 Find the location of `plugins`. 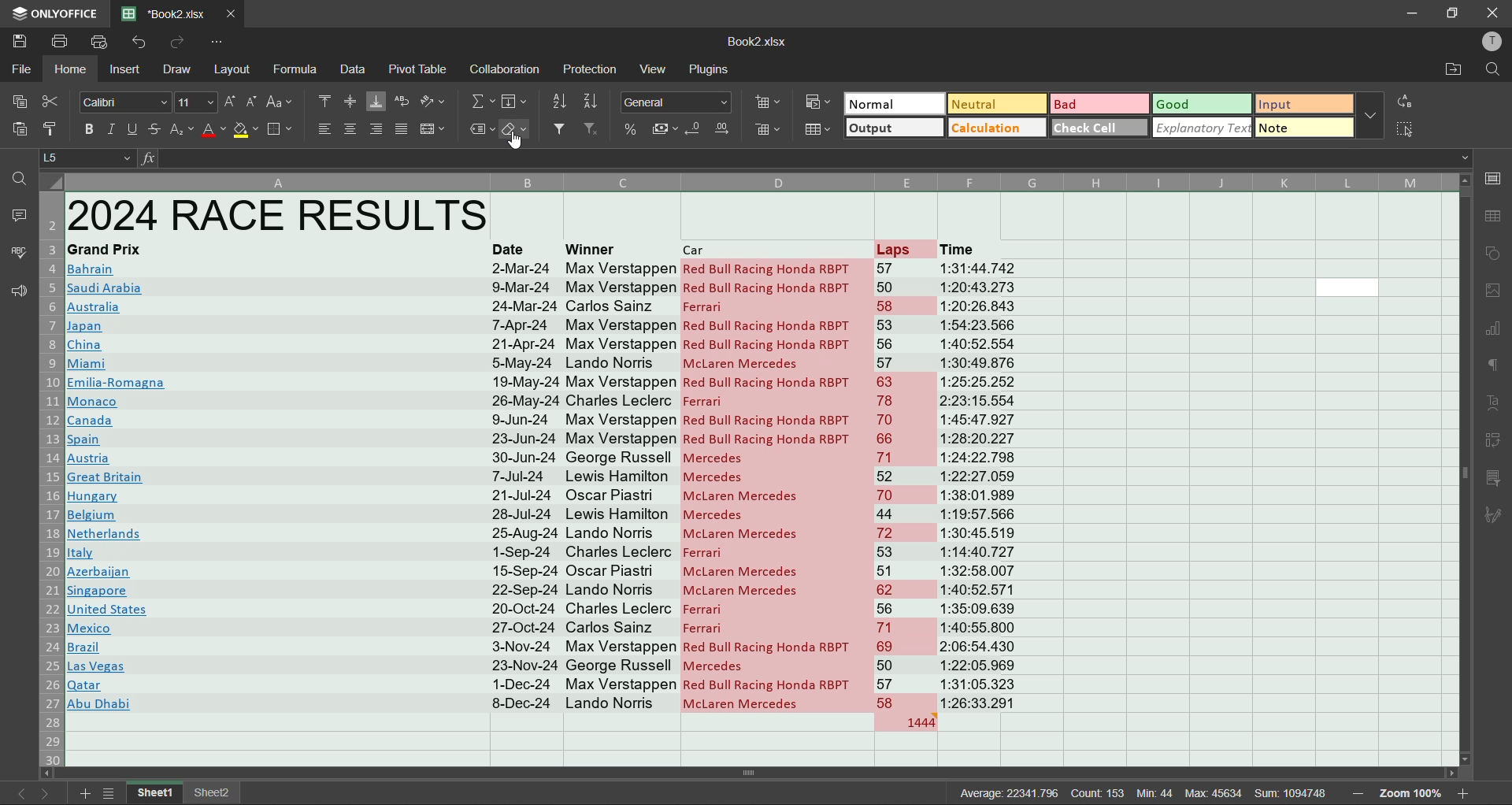

plugins is located at coordinates (706, 70).